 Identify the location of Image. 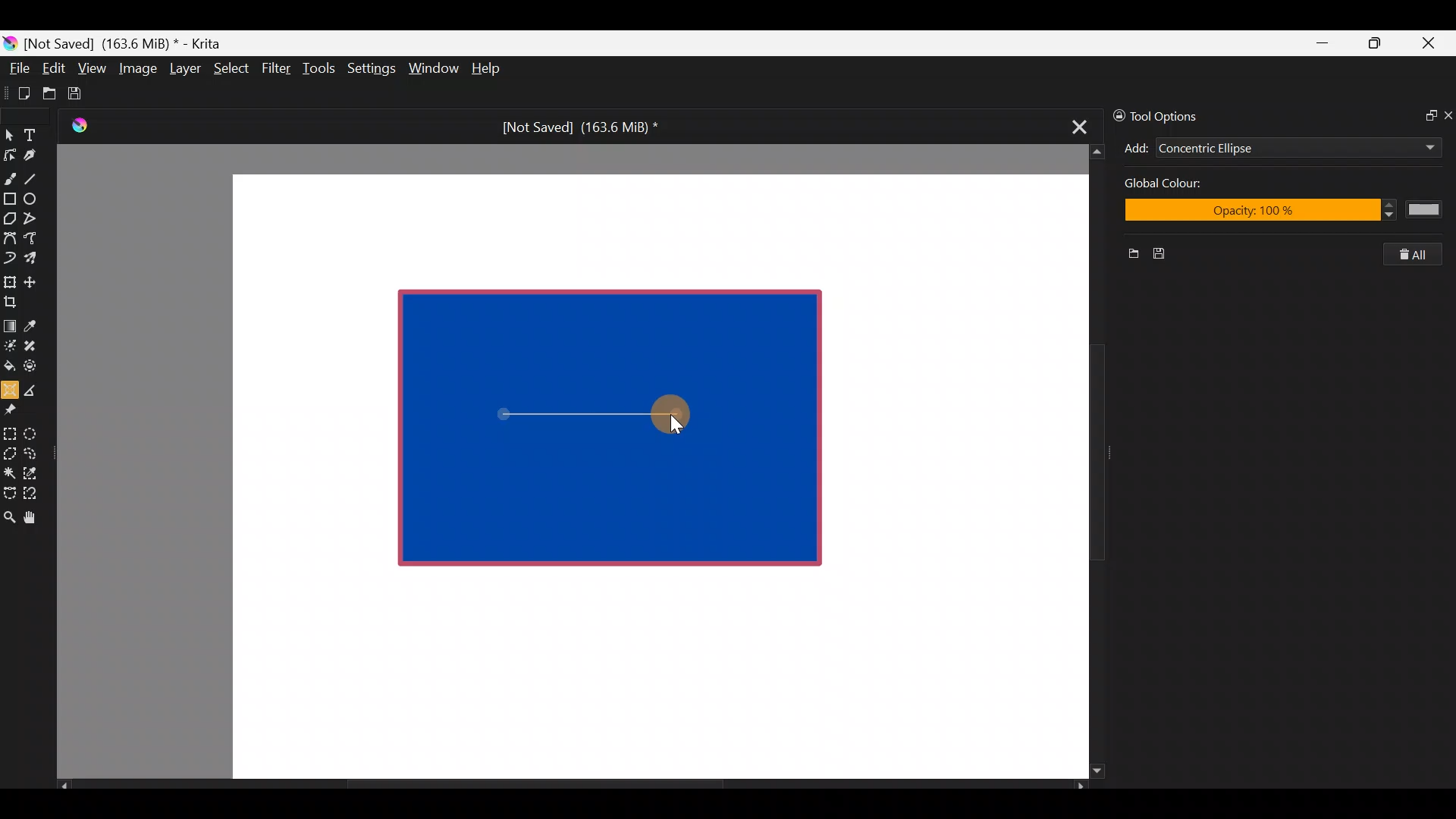
(137, 68).